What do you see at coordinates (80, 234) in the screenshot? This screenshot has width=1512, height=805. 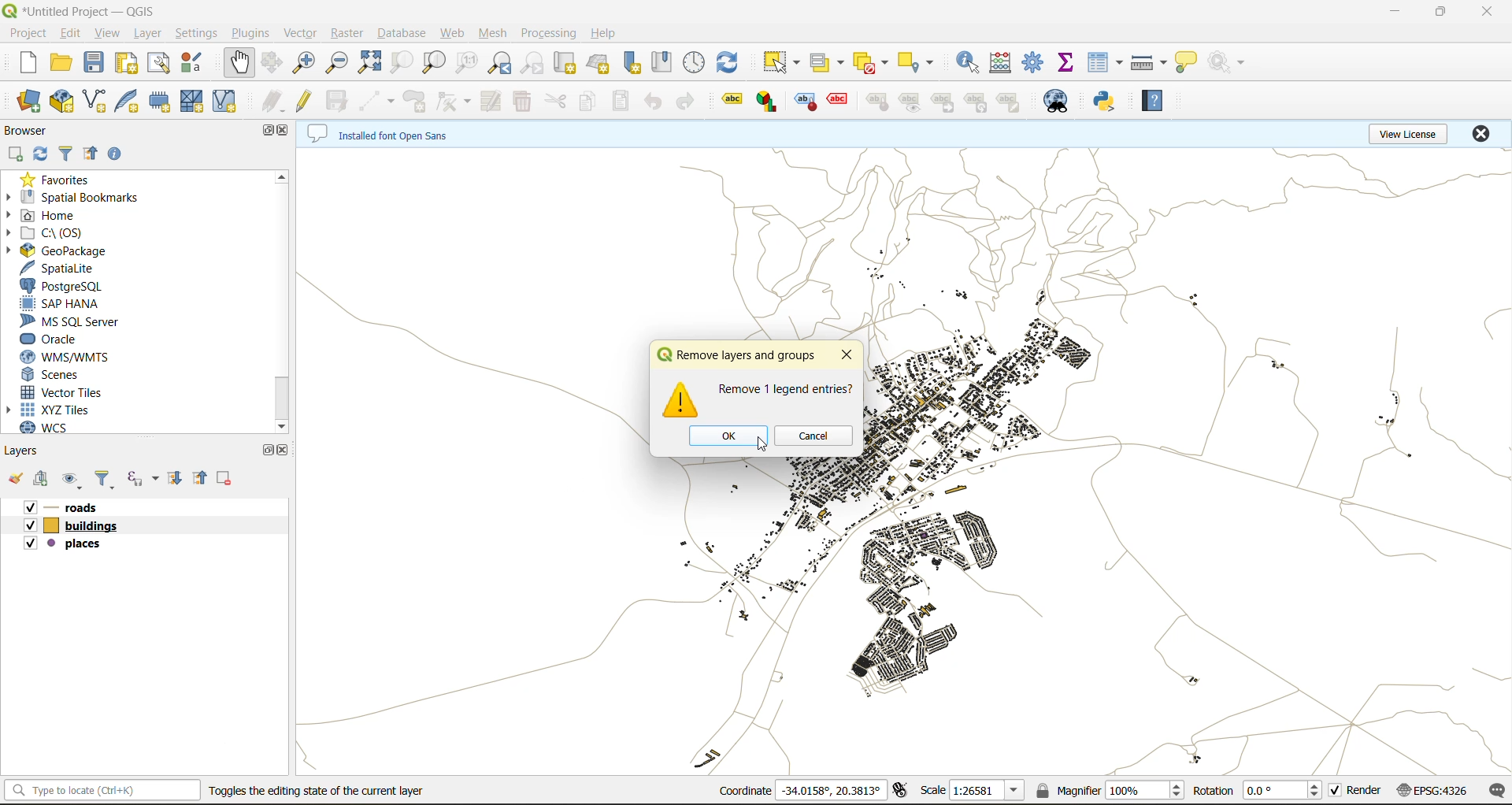 I see `c\:os` at bounding box center [80, 234].